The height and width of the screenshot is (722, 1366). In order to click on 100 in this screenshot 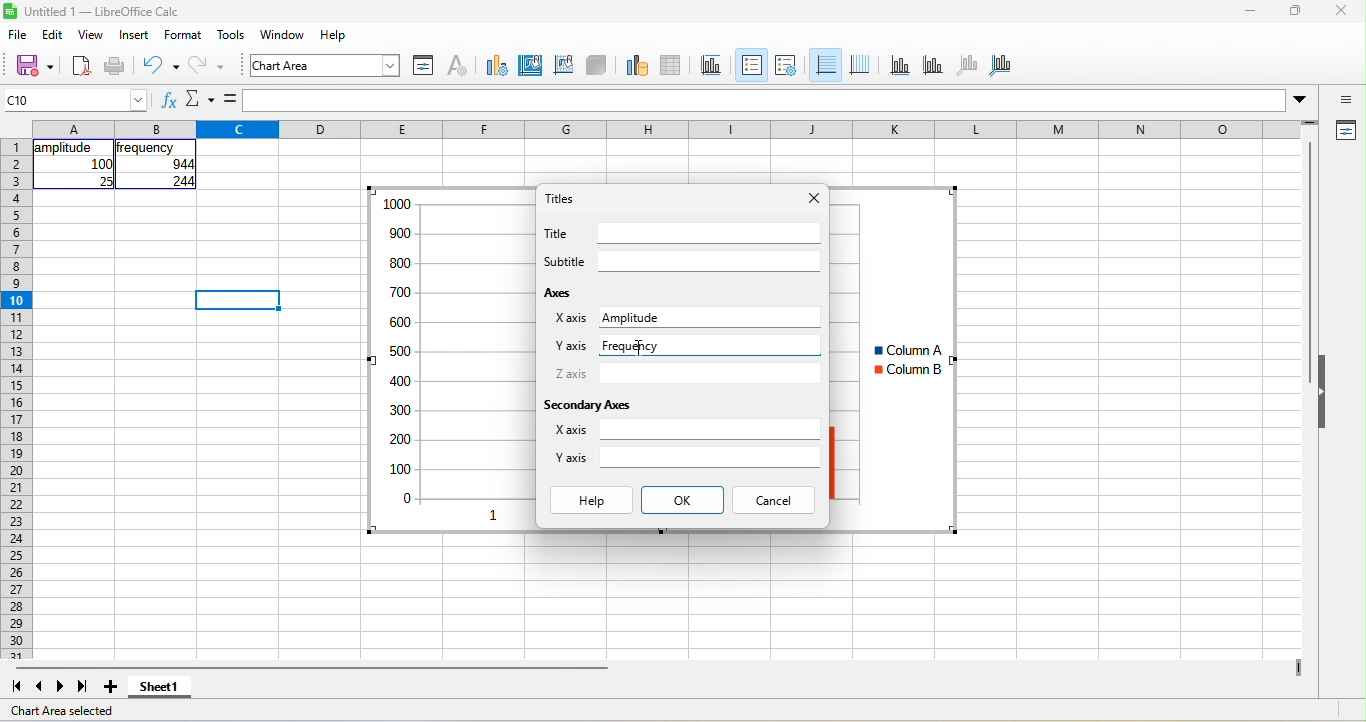, I will do `click(101, 164)`.